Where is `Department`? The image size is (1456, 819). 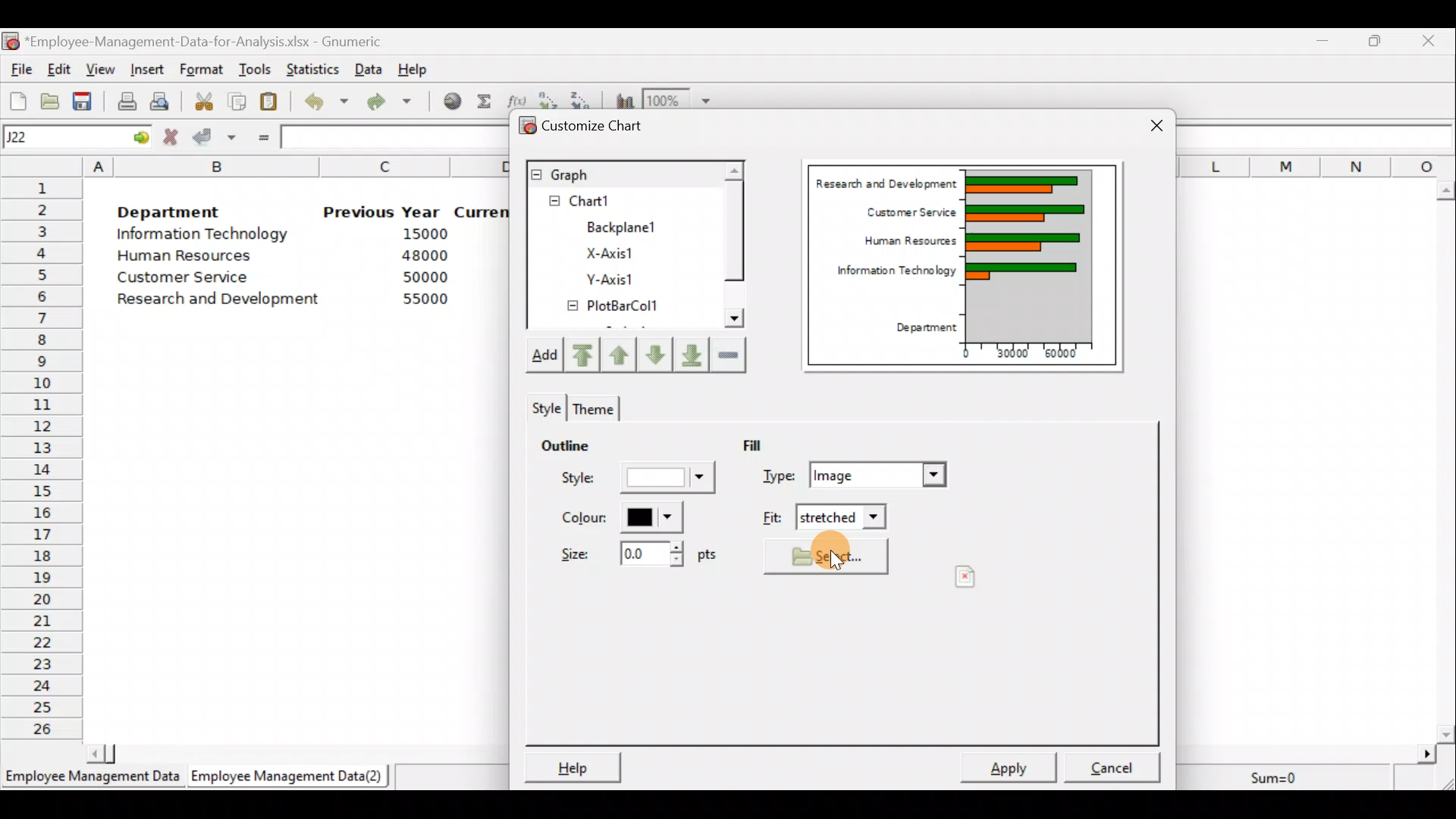 Department is located at coordinates (180, 212).